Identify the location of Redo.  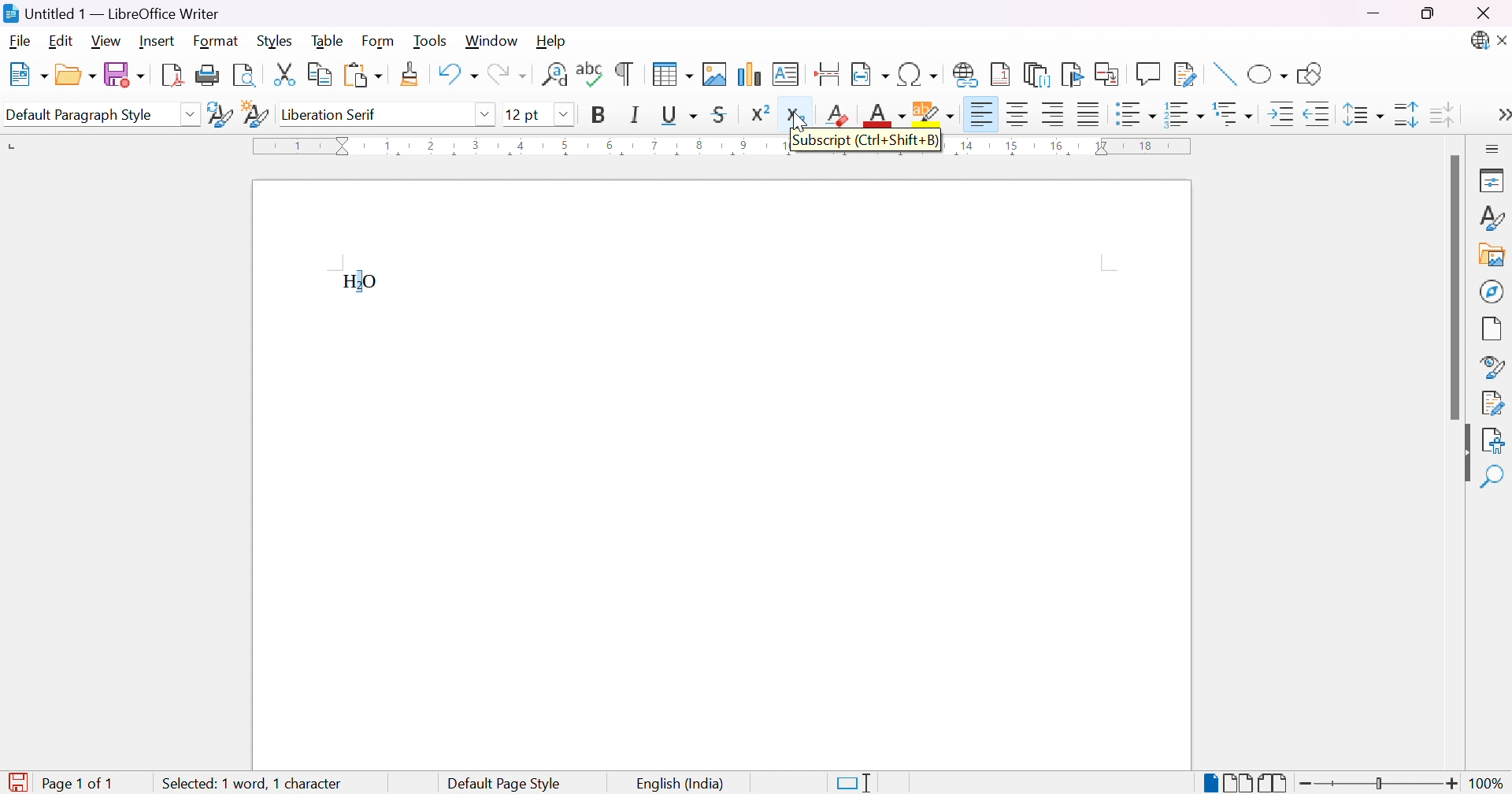
(506, 78).